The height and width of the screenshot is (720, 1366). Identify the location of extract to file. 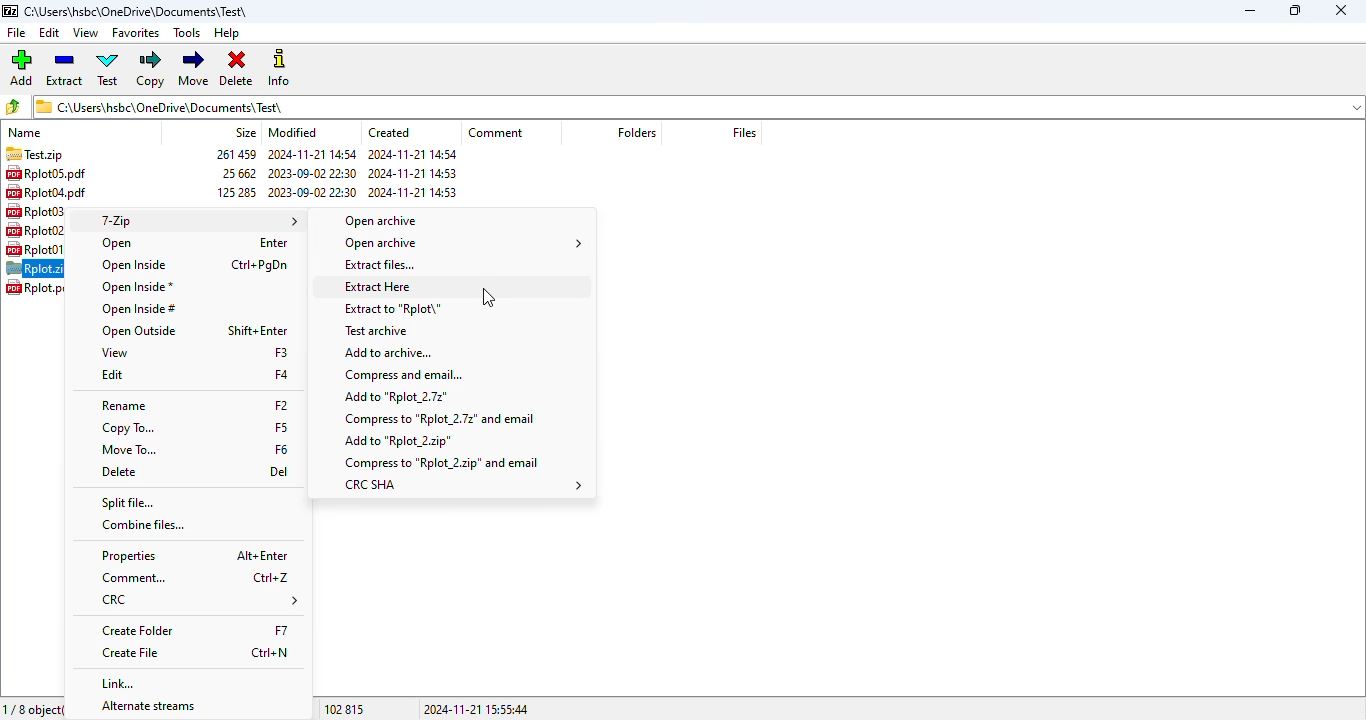
(389, 311).